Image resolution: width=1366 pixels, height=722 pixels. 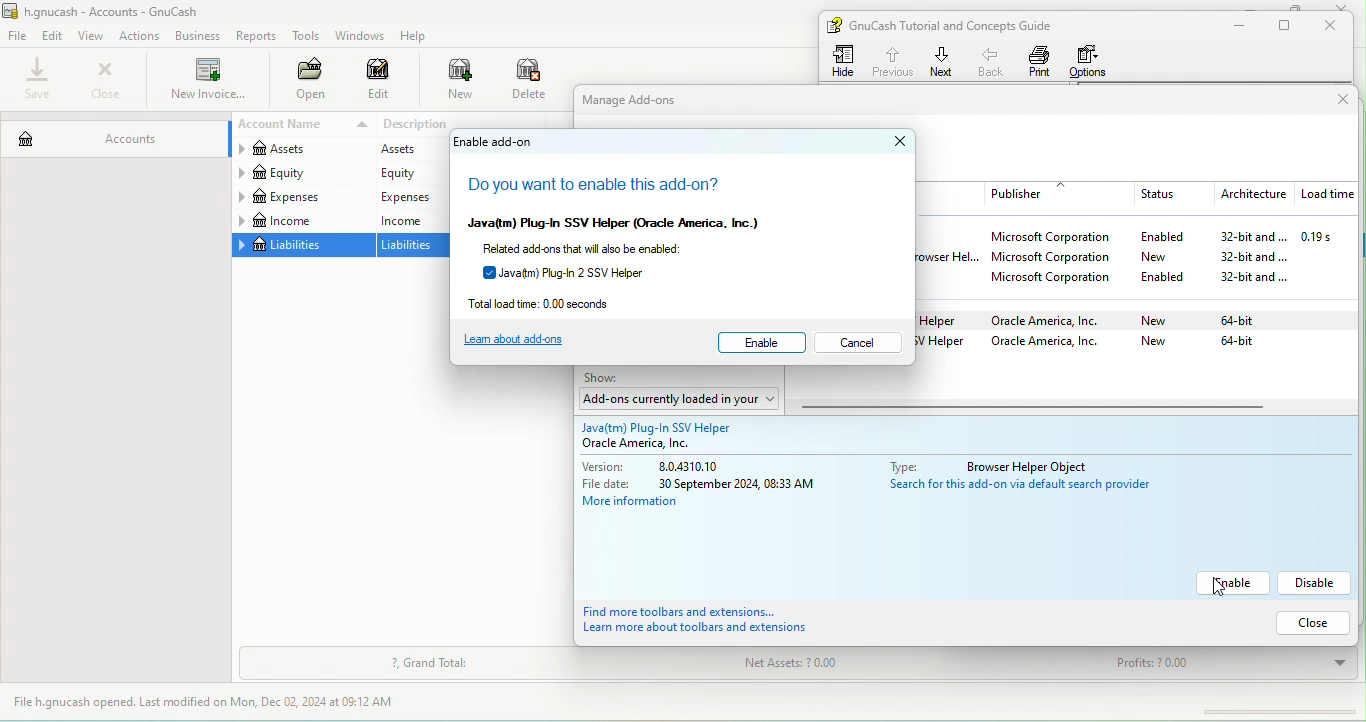 What do you see at coordinates (645, 504) in the screenshot?
I see `more information` at bounding box center [645, 504].